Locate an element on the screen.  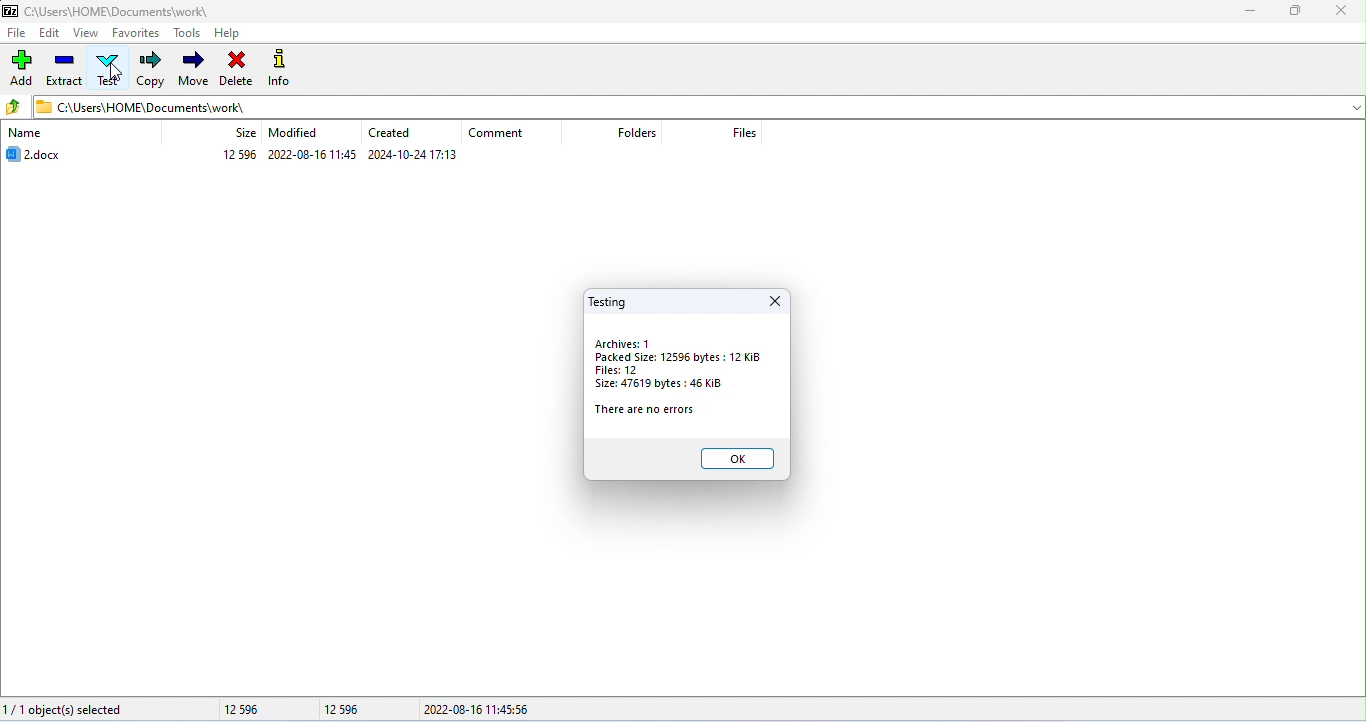
Size 47619 bytes : 46KiB is located at coordinates (659, 384).